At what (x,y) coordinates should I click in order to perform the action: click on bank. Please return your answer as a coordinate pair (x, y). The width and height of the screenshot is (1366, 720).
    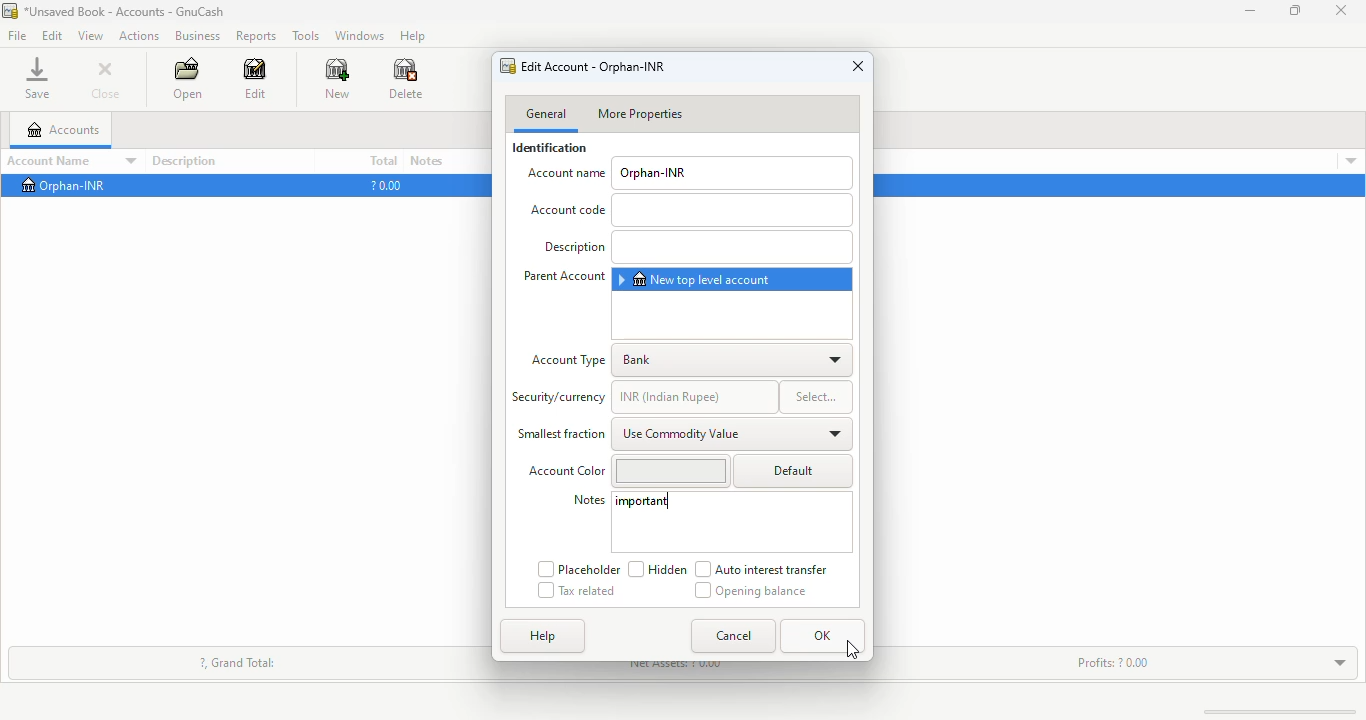
    Looking at the image, I should click on (733, 360).